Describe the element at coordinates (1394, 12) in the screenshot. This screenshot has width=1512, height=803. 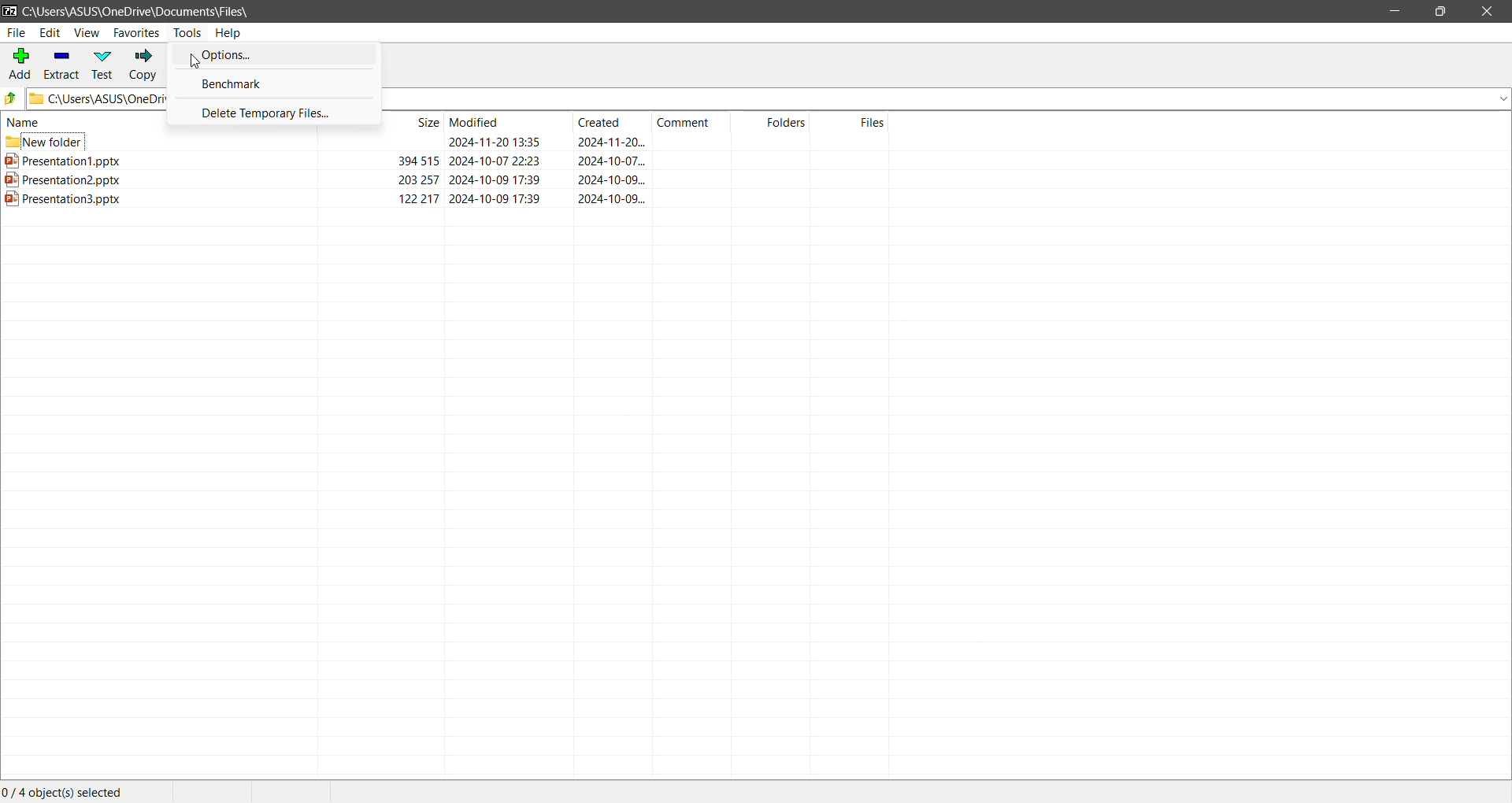
I see `Minimize` at that location.